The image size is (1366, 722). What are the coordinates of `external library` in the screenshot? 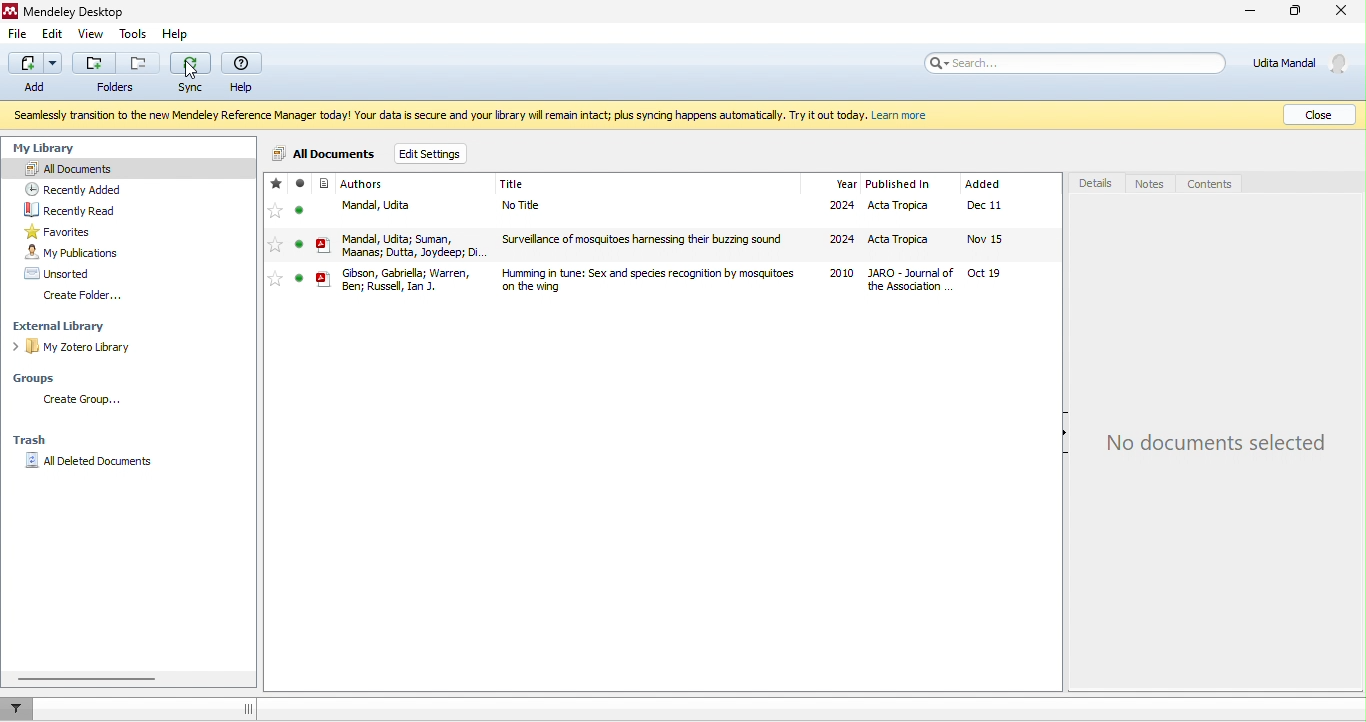 It's located at (65, 325).